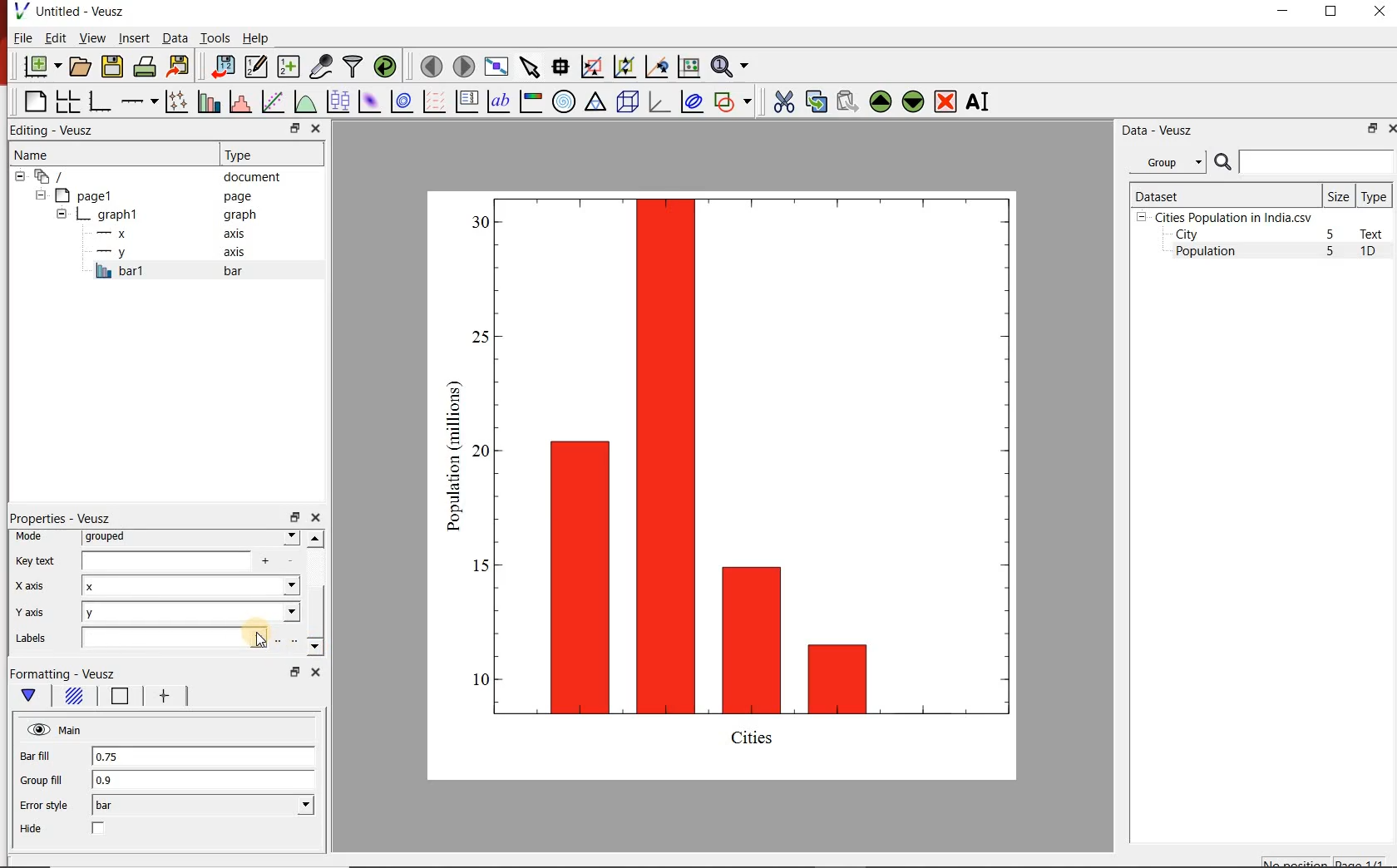  I want to click on page1, so click(149, 195).